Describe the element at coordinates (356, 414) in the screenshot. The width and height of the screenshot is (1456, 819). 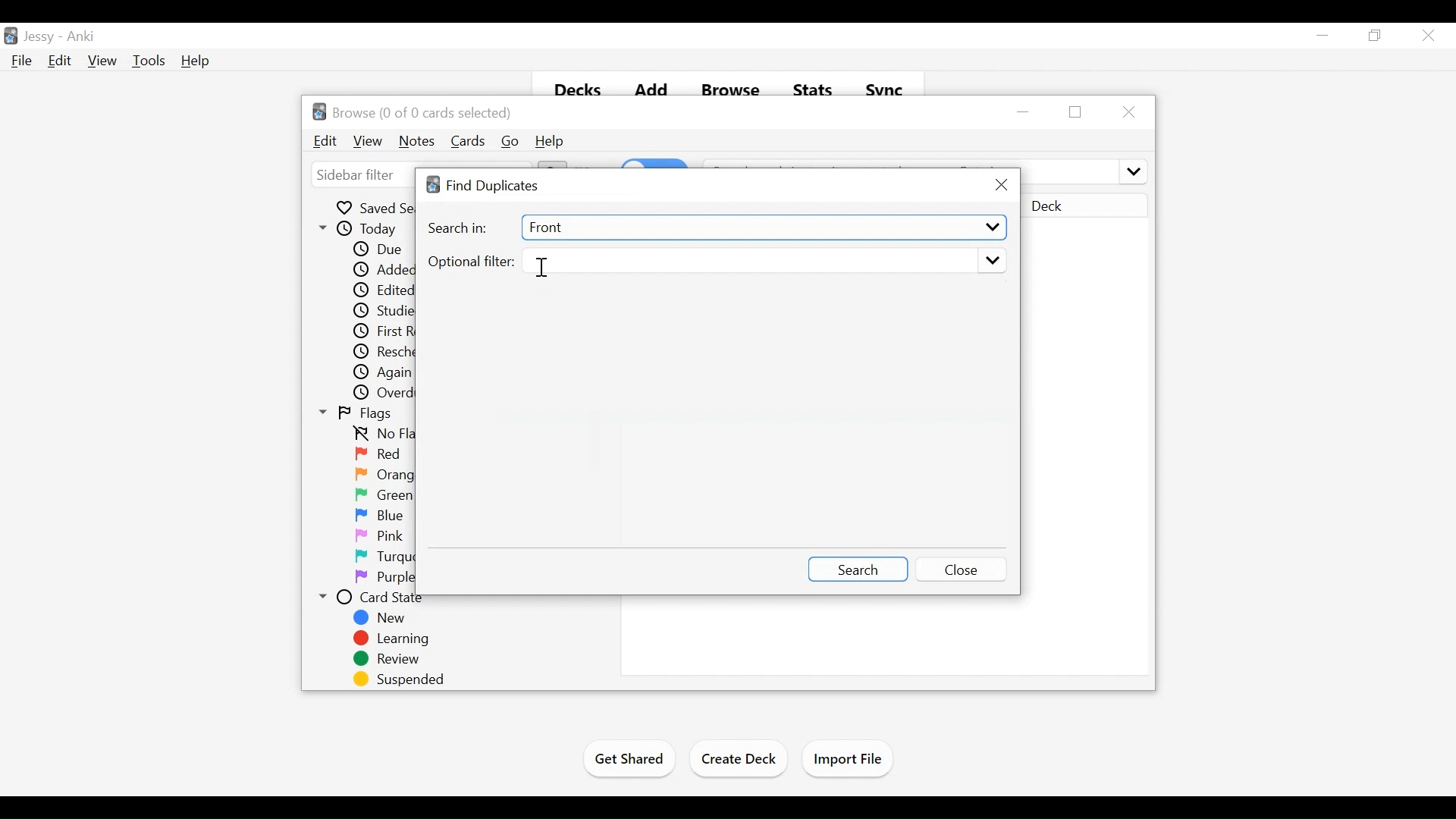
I see `Flags` at that location.